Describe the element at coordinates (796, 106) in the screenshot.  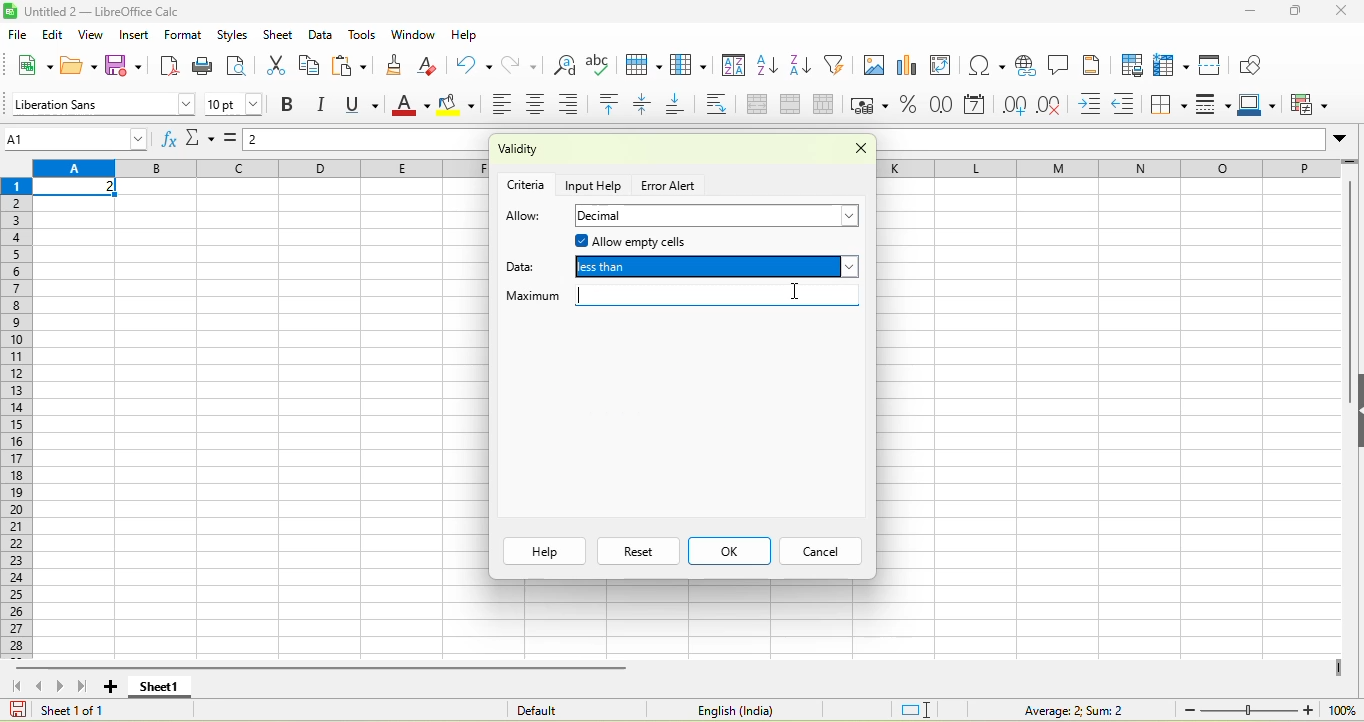
I see `merge` at that location.